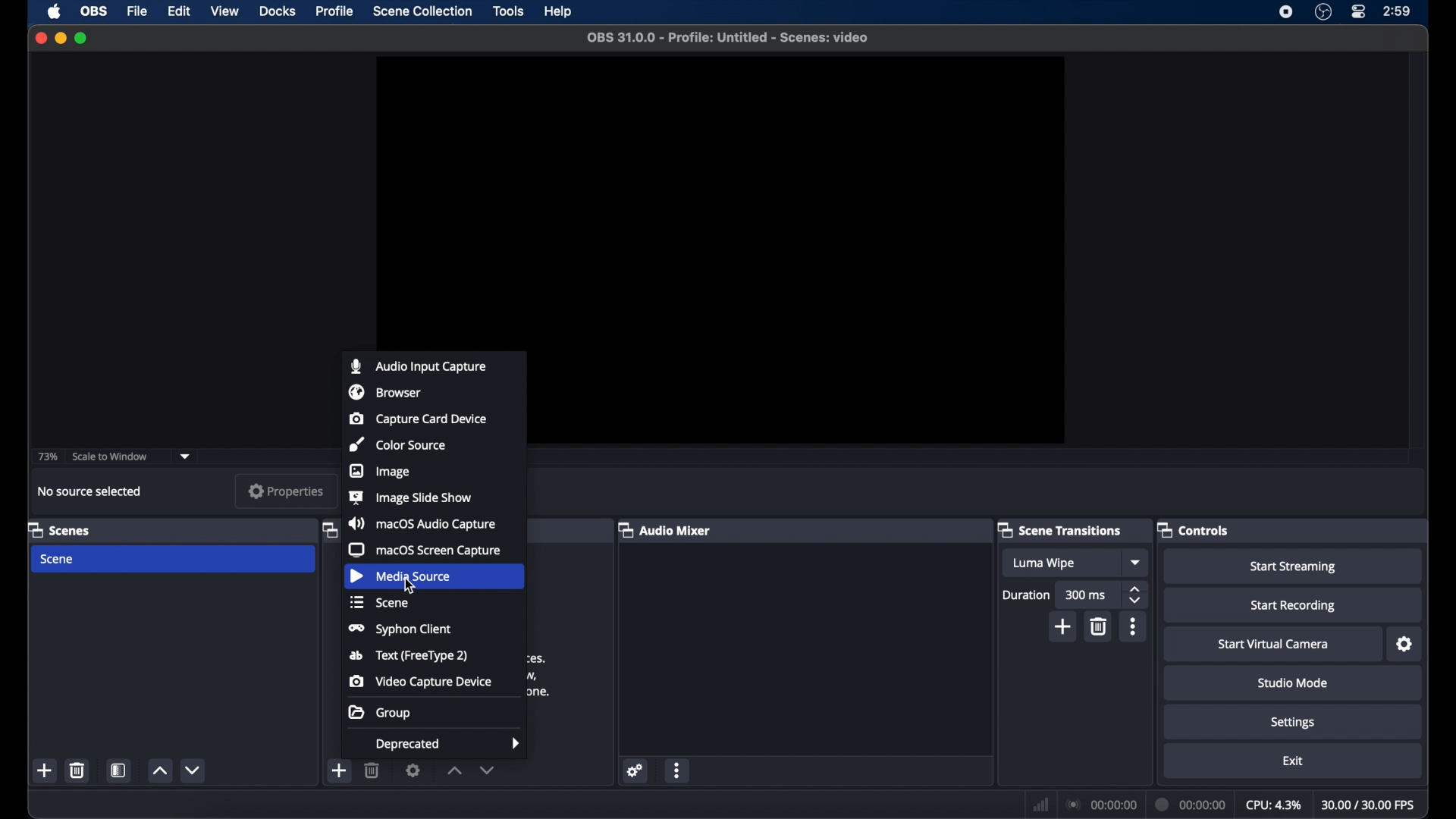 This screenshot has height=819, width=1456. What do you see at coordinates (160, 771) in the screenshot?
I see `increment` at bounding box center [160, 771].